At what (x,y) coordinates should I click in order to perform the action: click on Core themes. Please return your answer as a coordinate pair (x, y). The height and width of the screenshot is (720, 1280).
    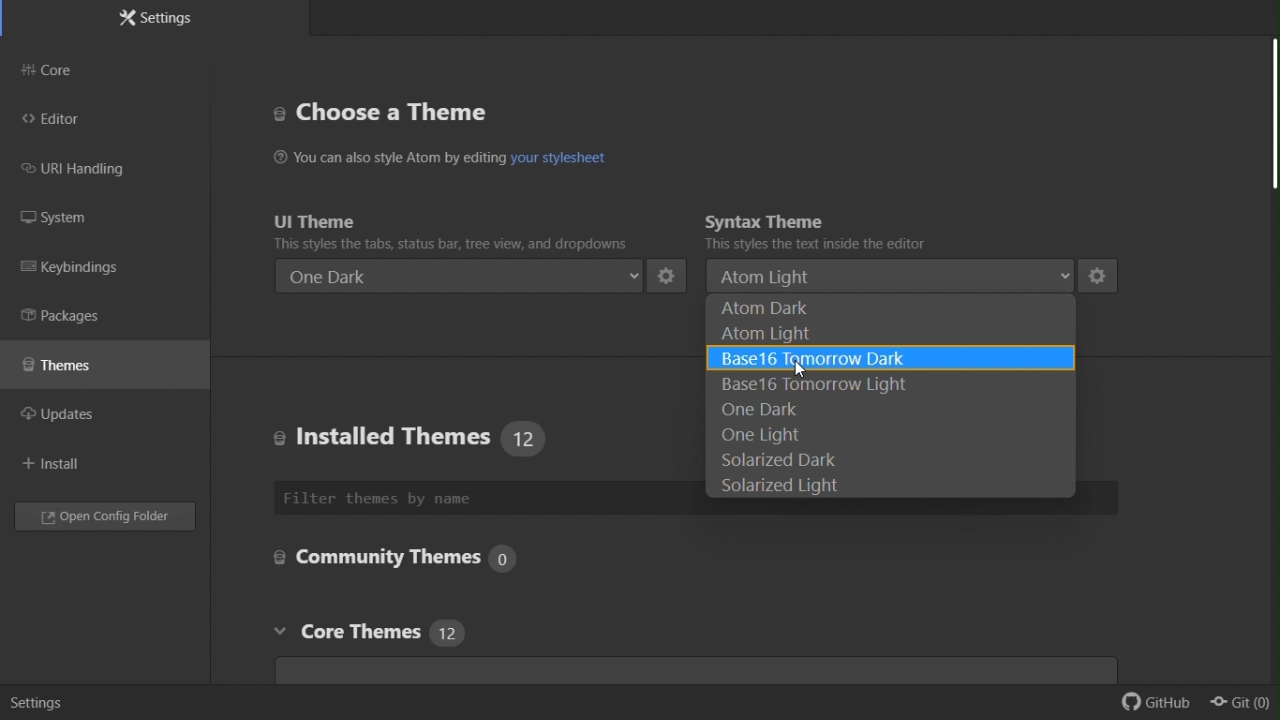
    Looking at the image, I should click on (687, 650).